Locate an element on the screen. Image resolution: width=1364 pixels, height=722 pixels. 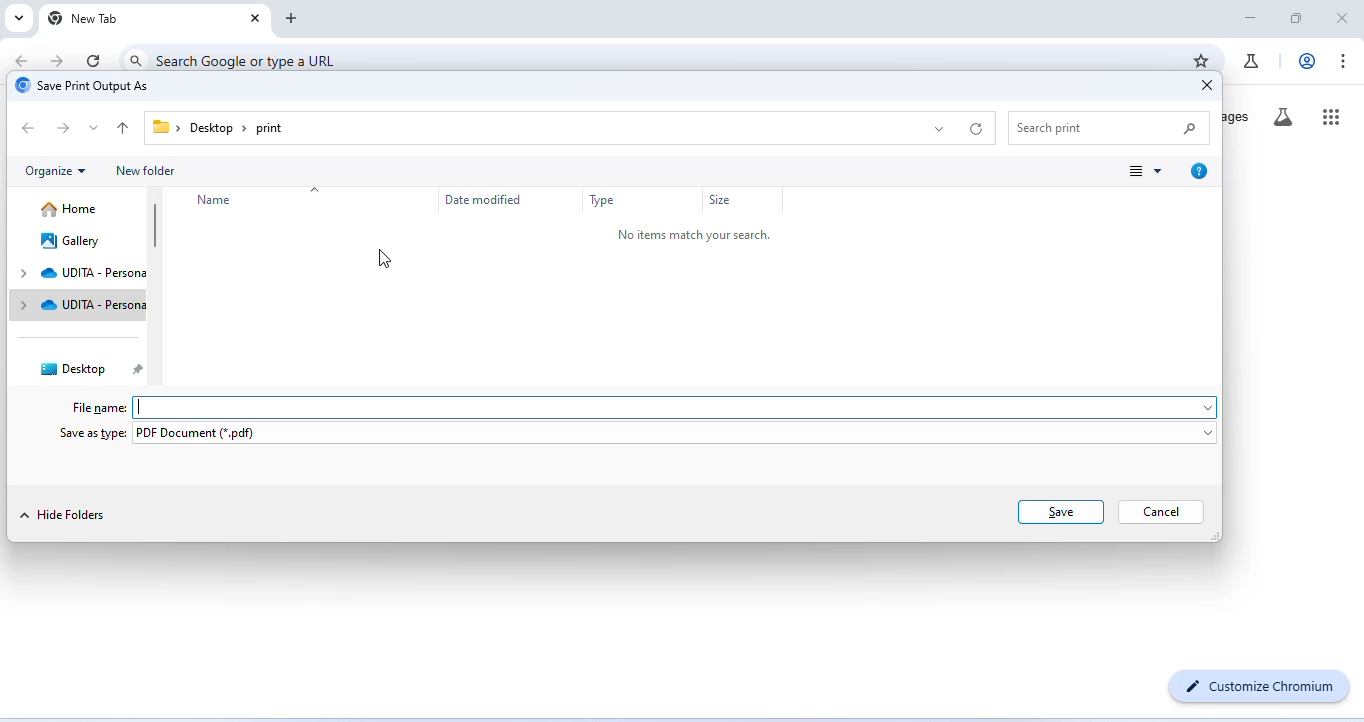
search labs is located at coordinates (1282, 118).